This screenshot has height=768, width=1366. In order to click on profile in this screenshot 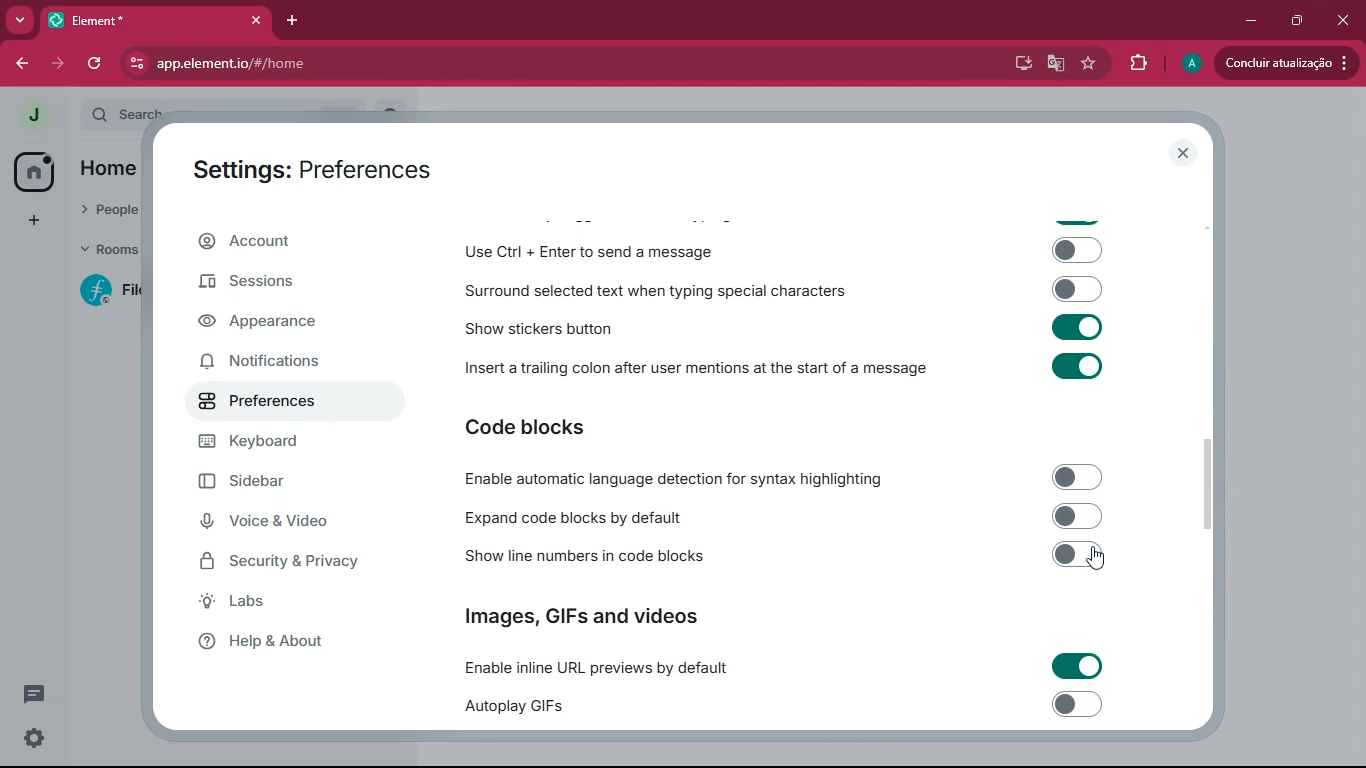, I will do `click(1189, 64)`.